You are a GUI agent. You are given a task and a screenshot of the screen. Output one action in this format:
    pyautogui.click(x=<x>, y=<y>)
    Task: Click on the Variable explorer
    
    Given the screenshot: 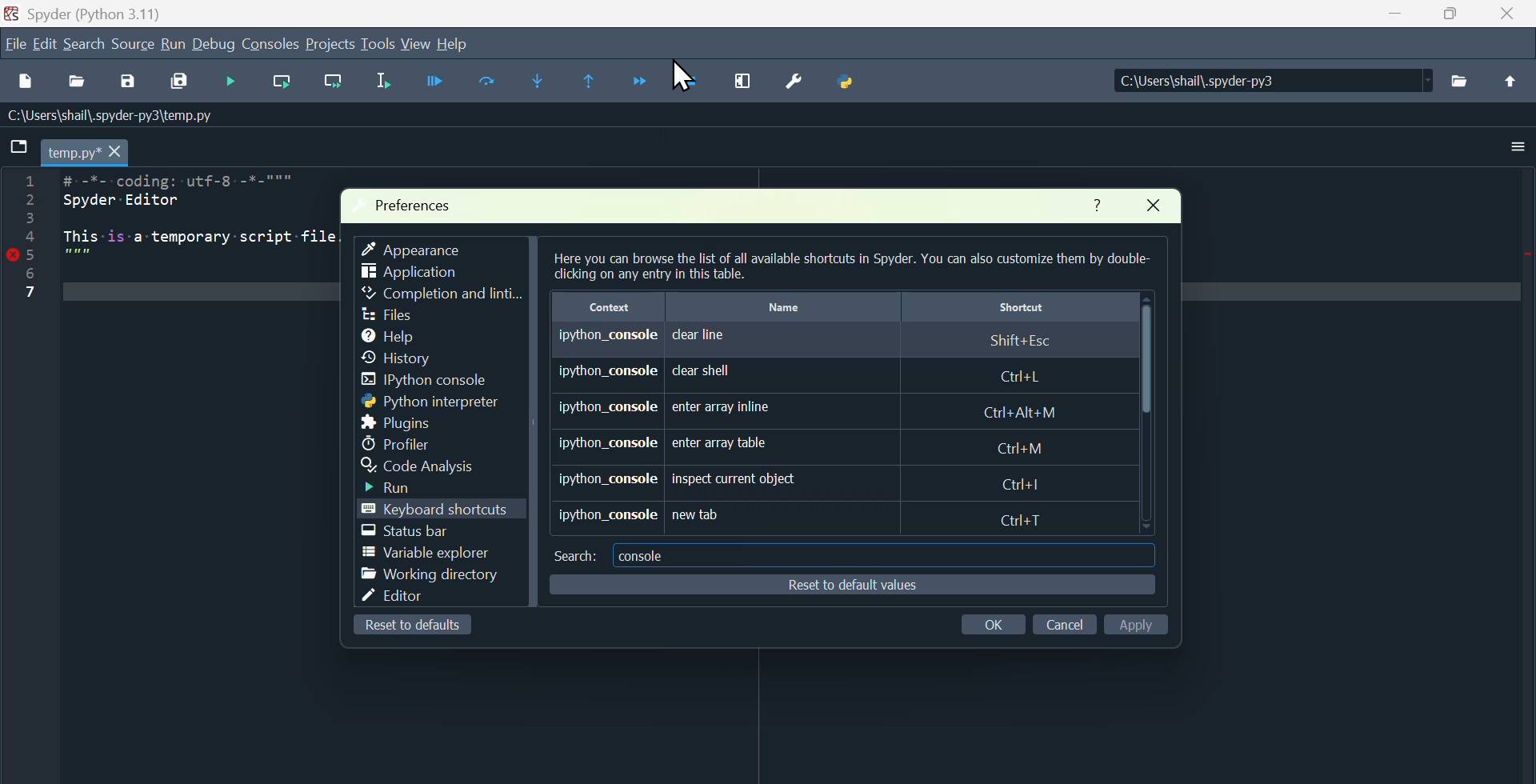 What is the action you would take?
    pyautogui.click(x=421, y=554)
    